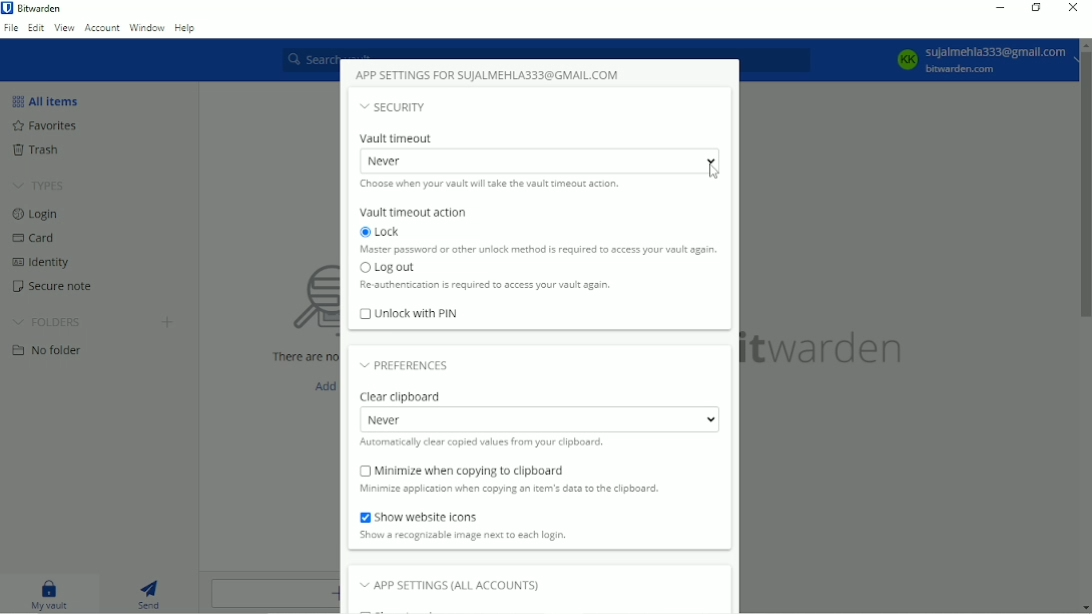 The height and width of the screenshot is (614, 1092). I want to click on Master password or other unlock method is required to unlock your vault again., so click(538, 252).